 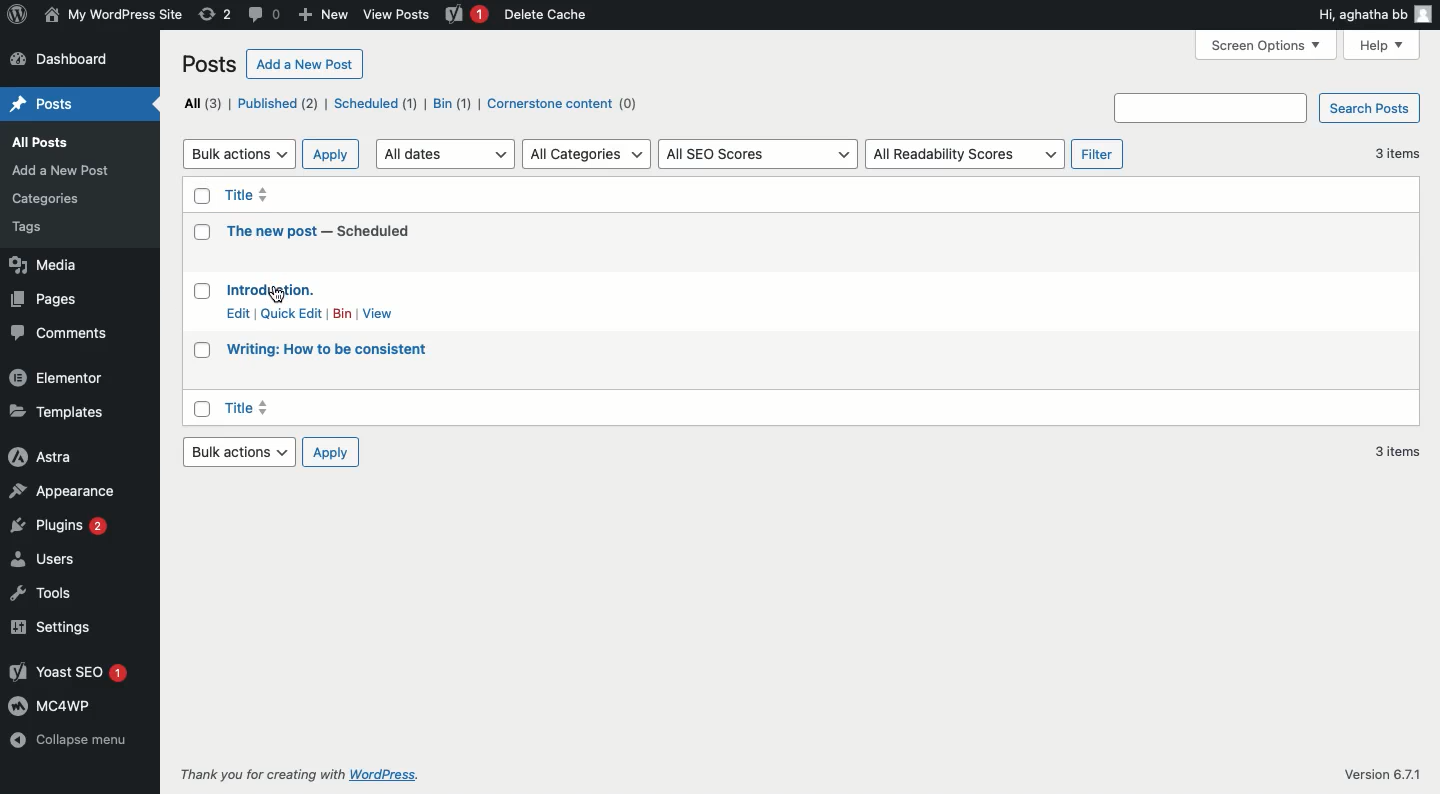 What do you see at coordinates (253, 196) in the screenshot?
I see `Title` at bounding box center [253, 196].